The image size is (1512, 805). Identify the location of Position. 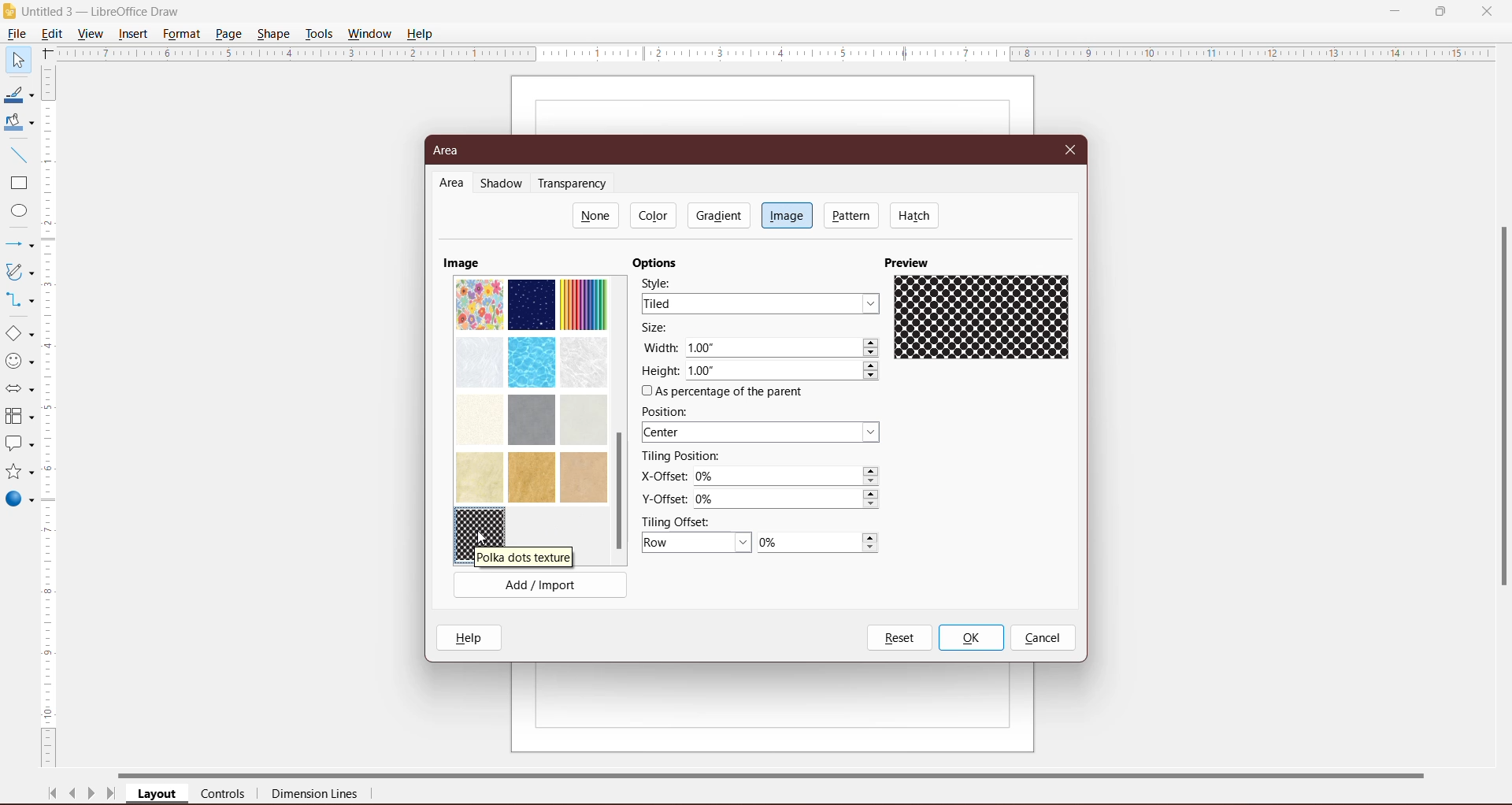
(669, 411).